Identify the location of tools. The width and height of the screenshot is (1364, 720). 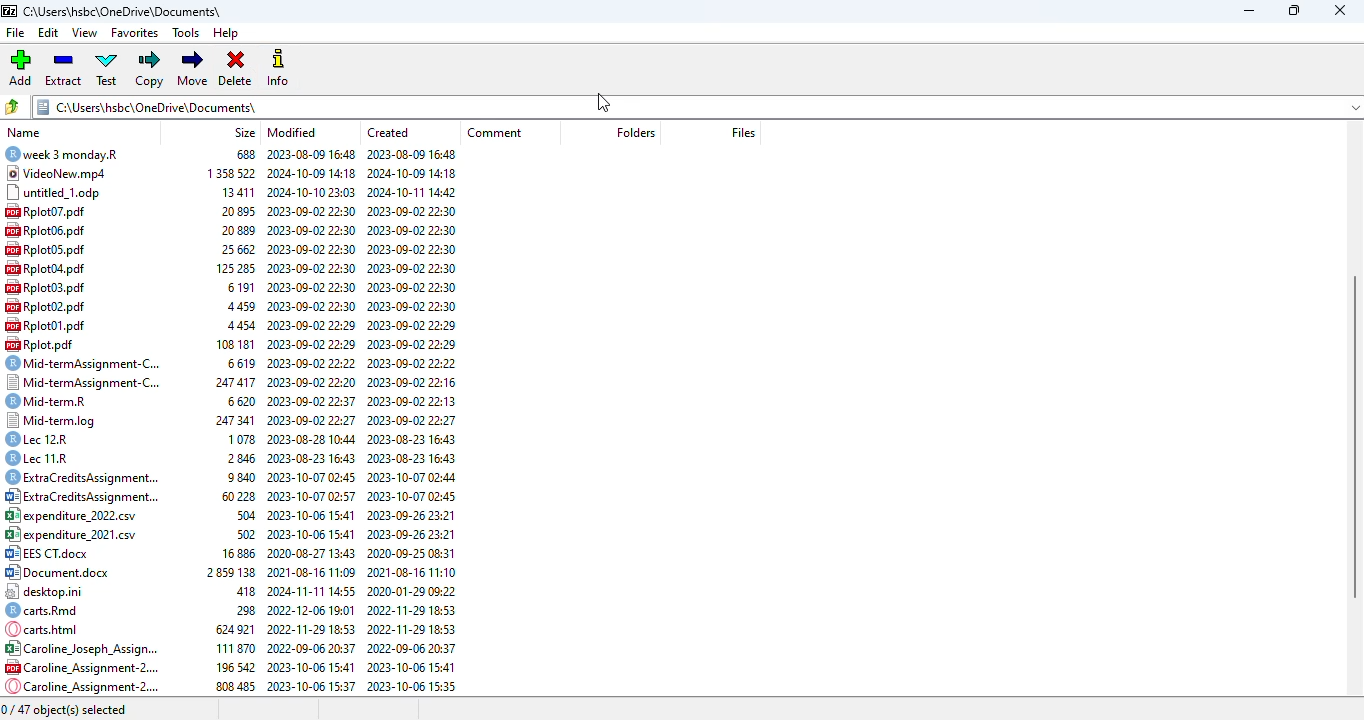
(185, 33).